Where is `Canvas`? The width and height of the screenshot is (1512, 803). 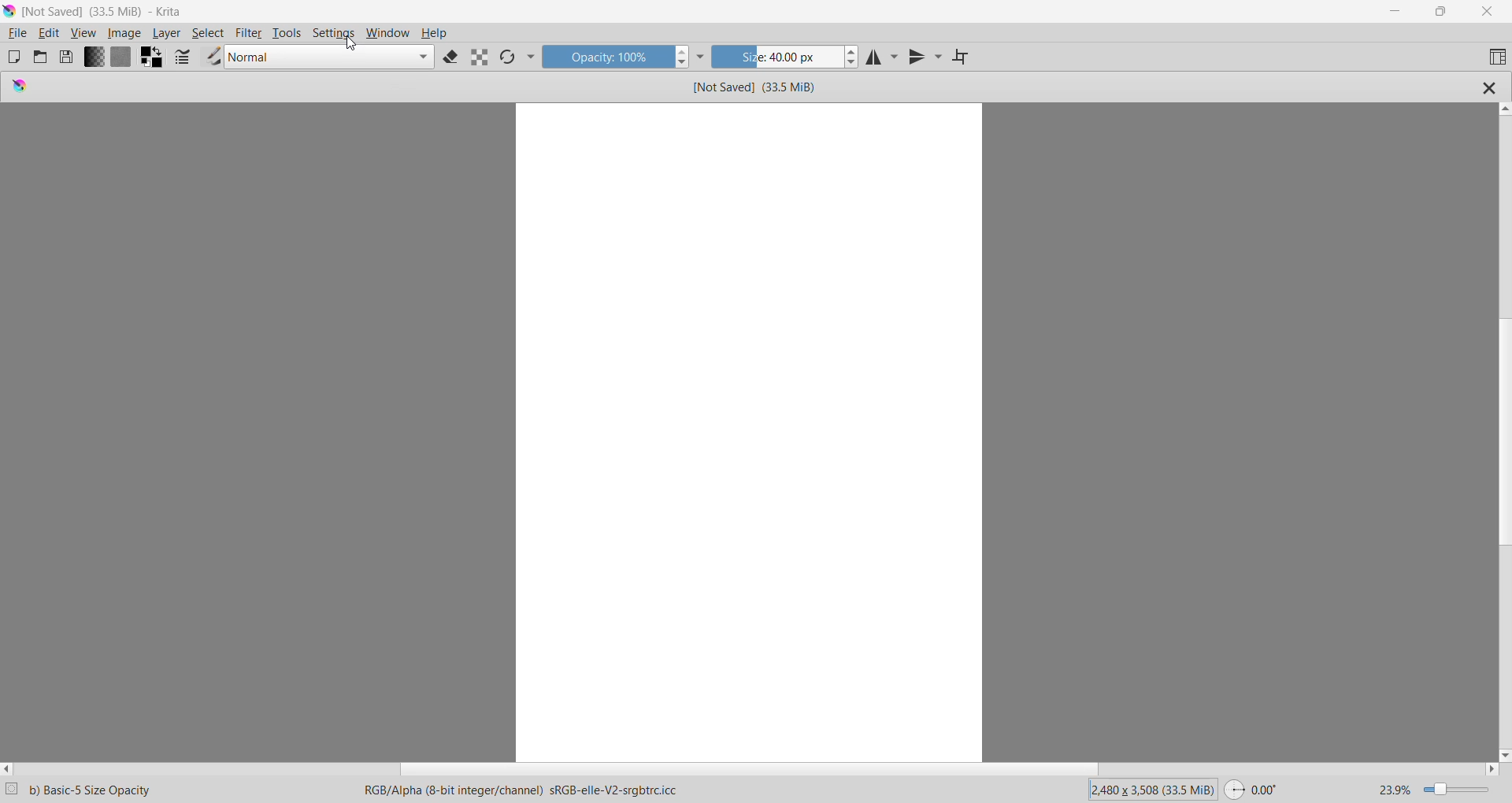 Canvas is located at coordinates (748, 431).